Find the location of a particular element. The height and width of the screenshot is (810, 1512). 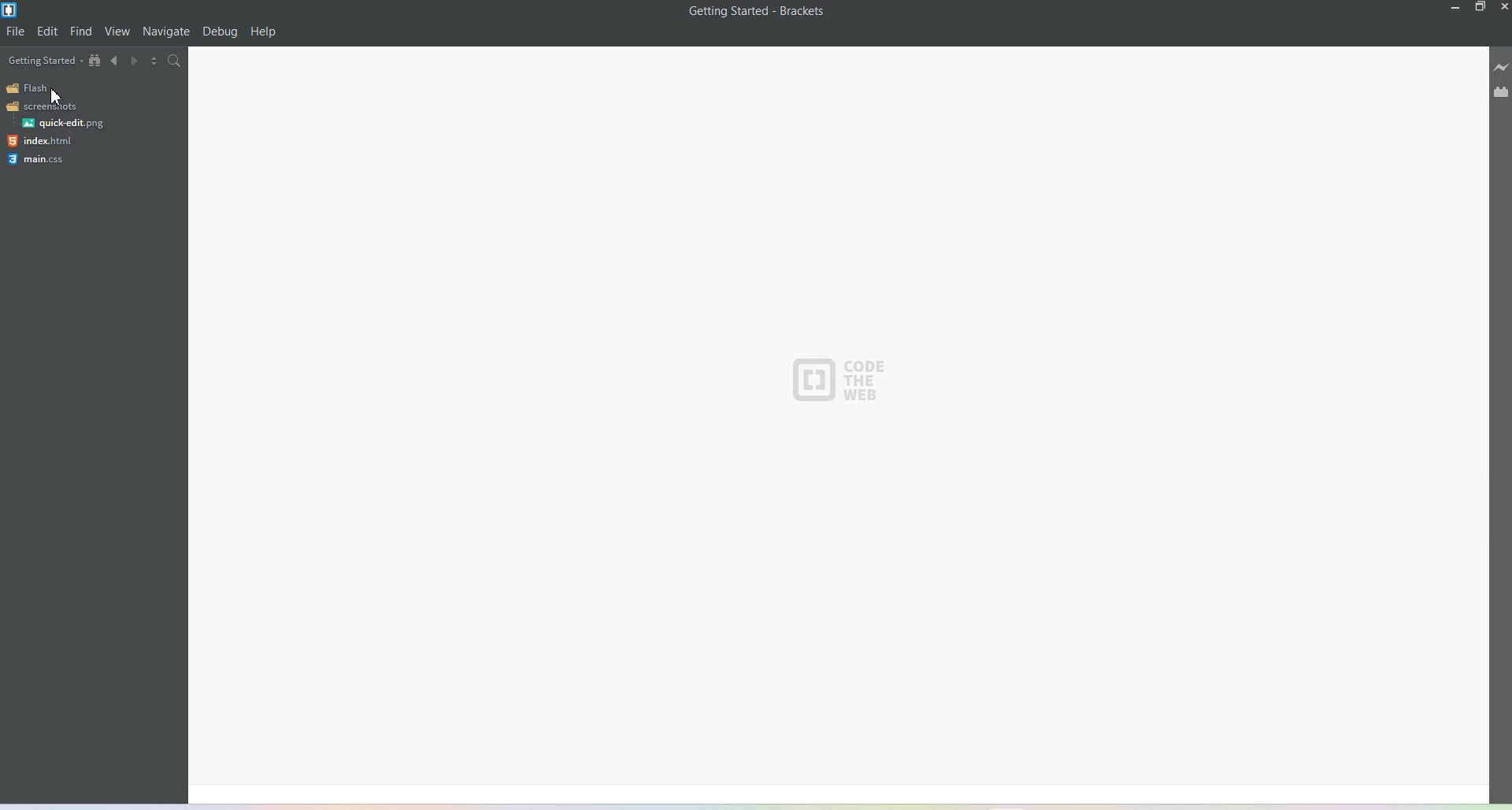

Logo is located at coordinates (25, 87).